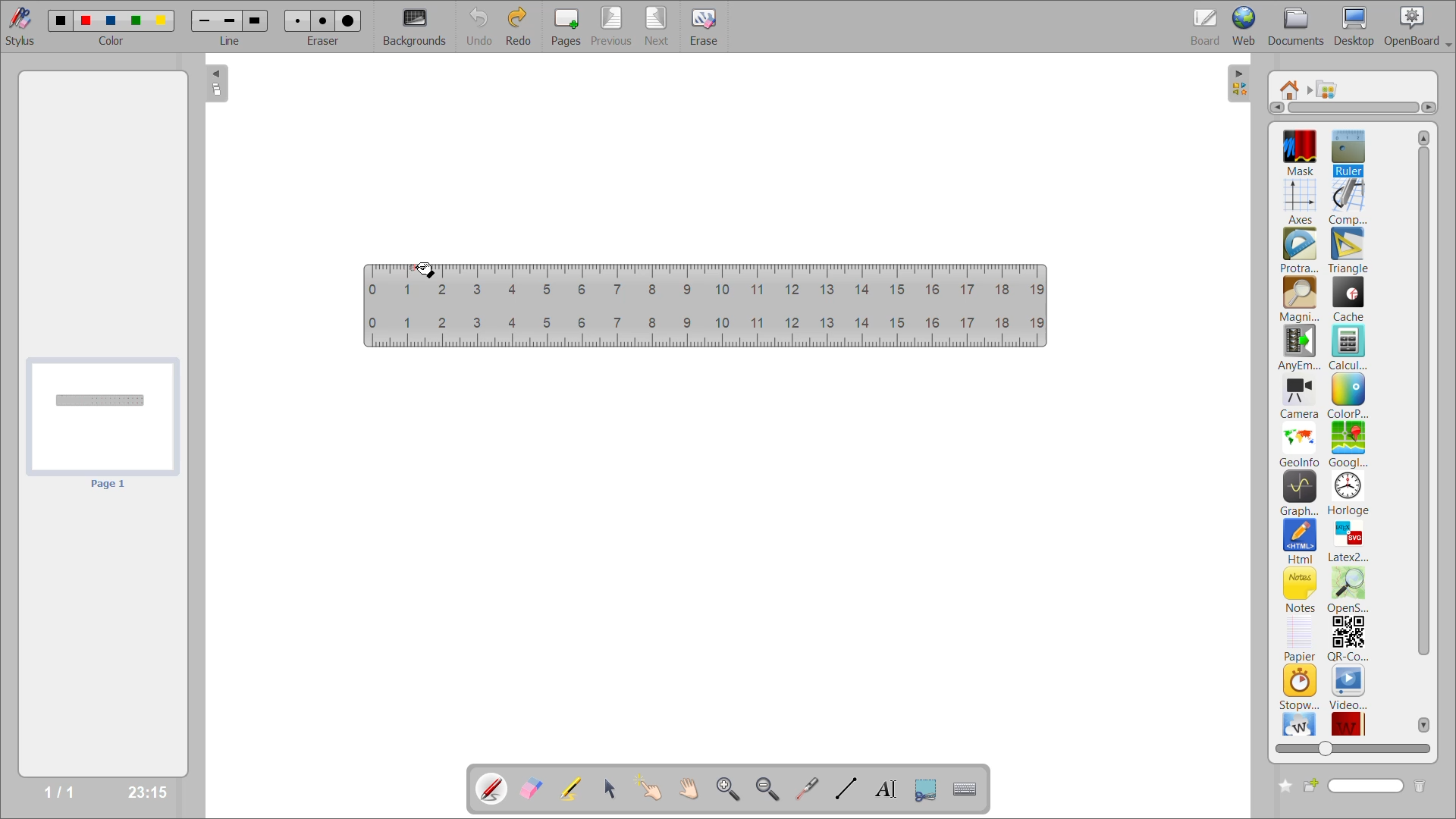 The image size is (1456, 819). Describe the element at coordinates (231, 40) in the screenshot. I see `line ` at that location.